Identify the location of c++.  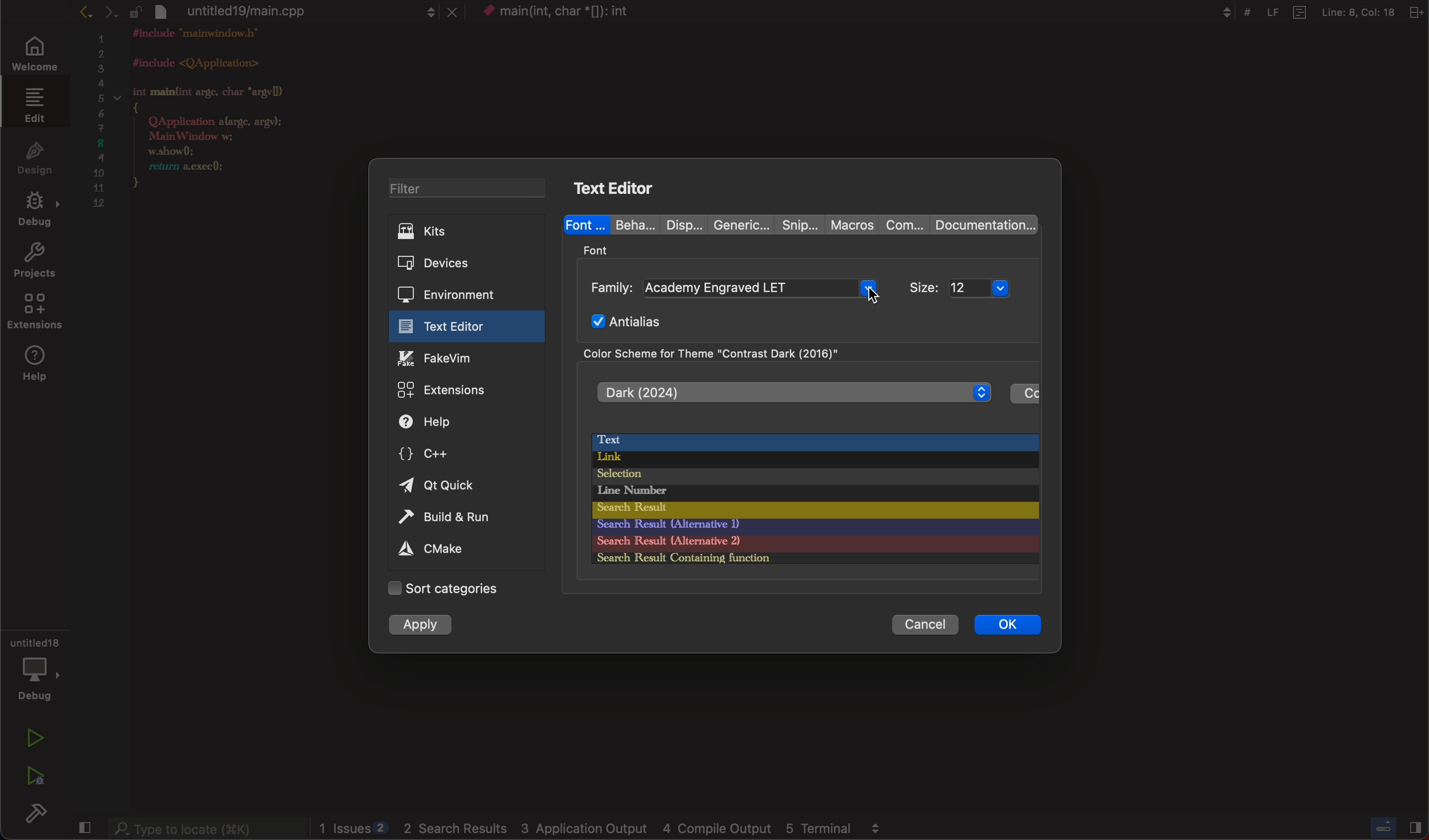
(442, 452).